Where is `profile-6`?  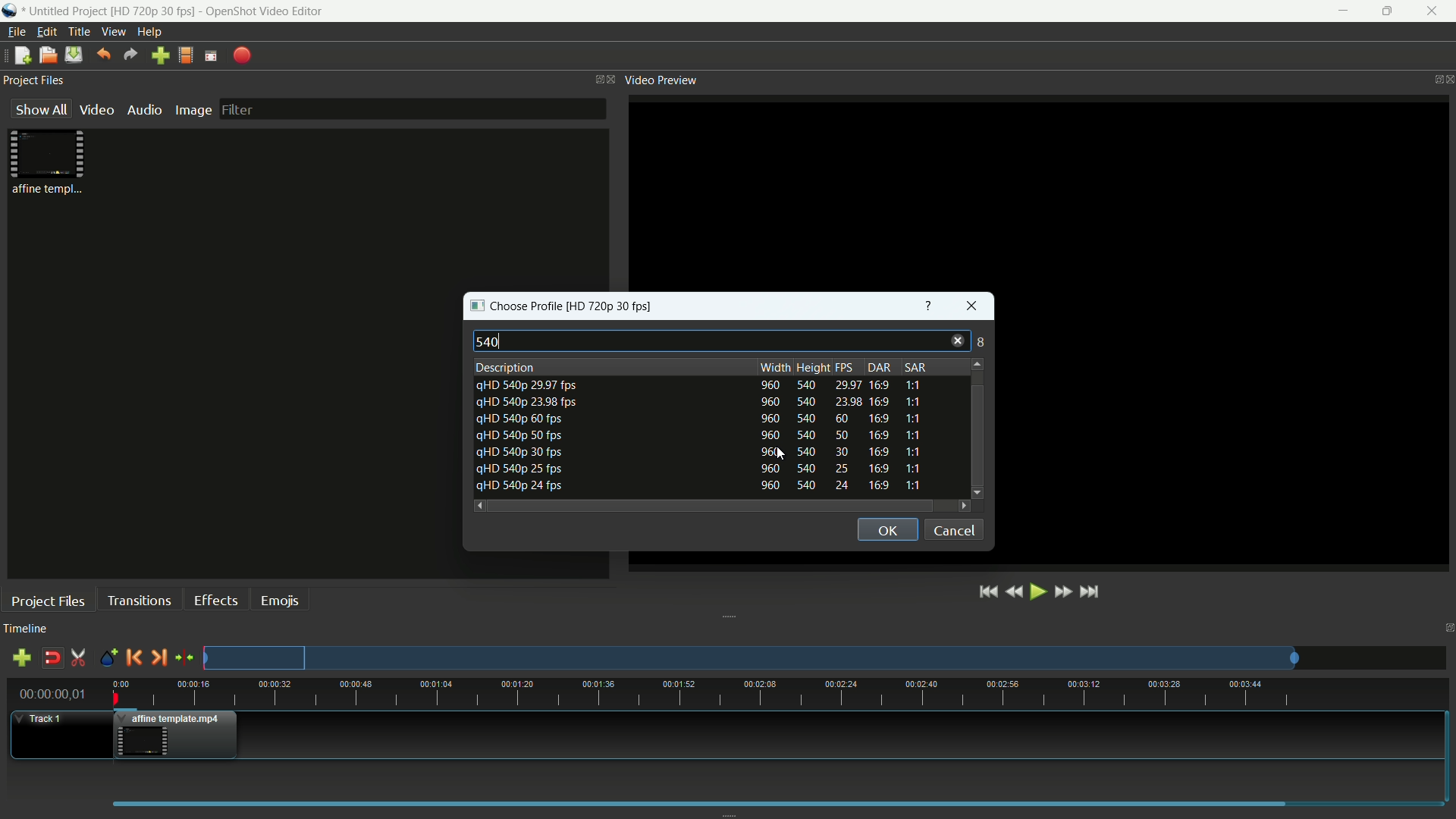 profile-6 is located at coordinates (703, 469).